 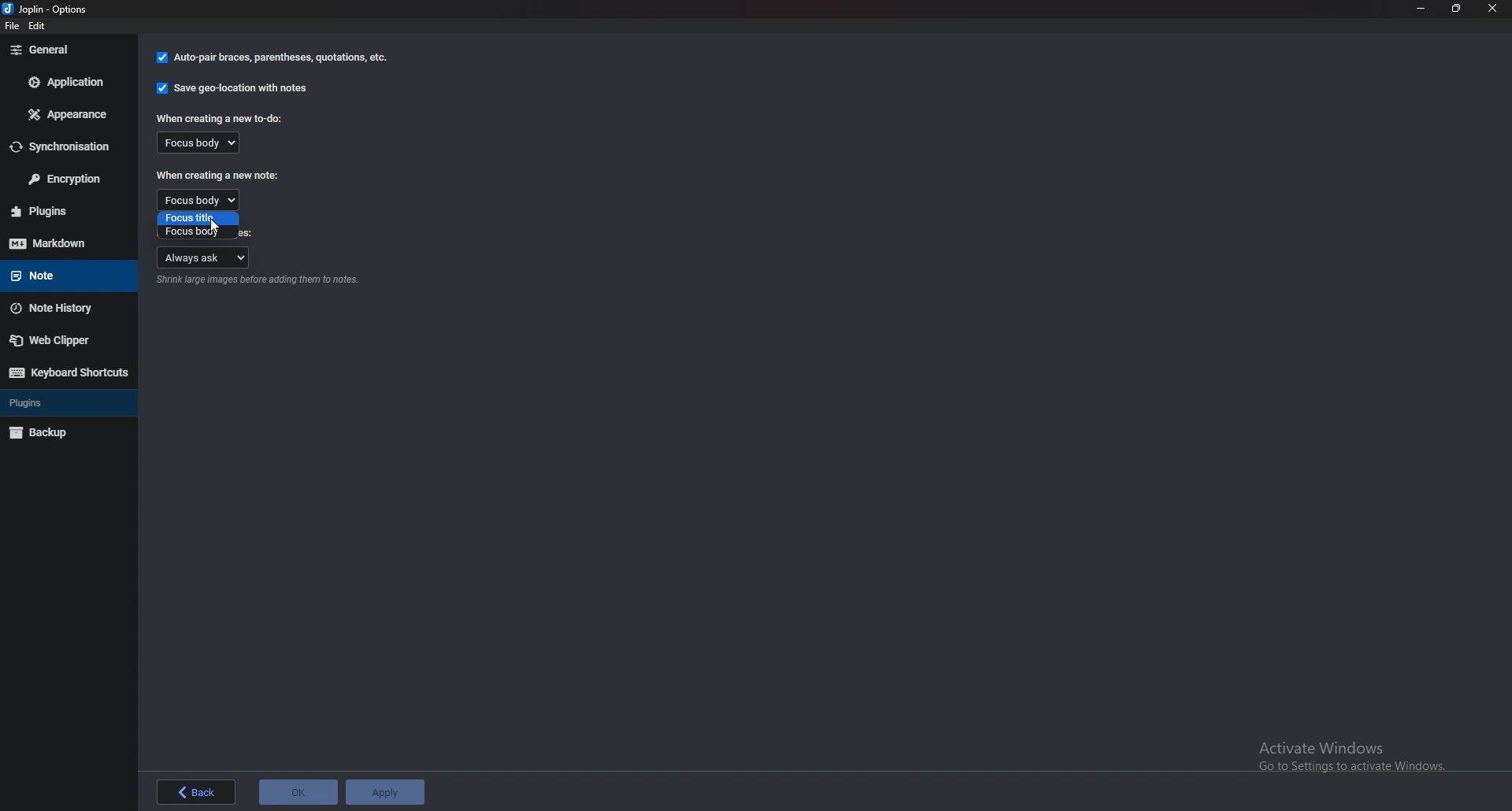 What do you see at coordinates (217, 176) in the screenshot?
I see `When creating a new note` at bounding box center [217, 176].